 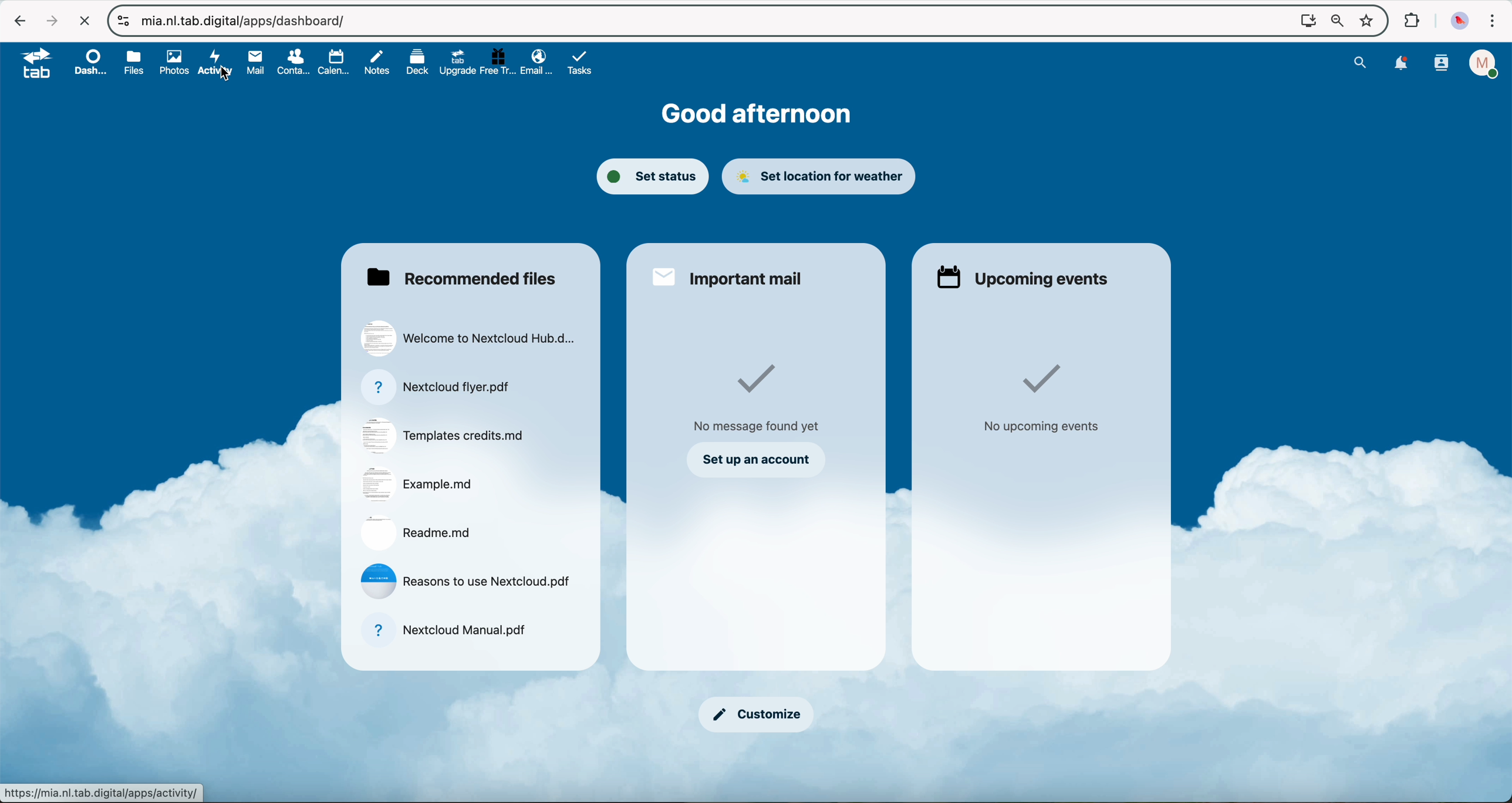 What do you see at coordinates (228, 78) in the screenshot?
I see `cursor` at bounding box center [228, 78].